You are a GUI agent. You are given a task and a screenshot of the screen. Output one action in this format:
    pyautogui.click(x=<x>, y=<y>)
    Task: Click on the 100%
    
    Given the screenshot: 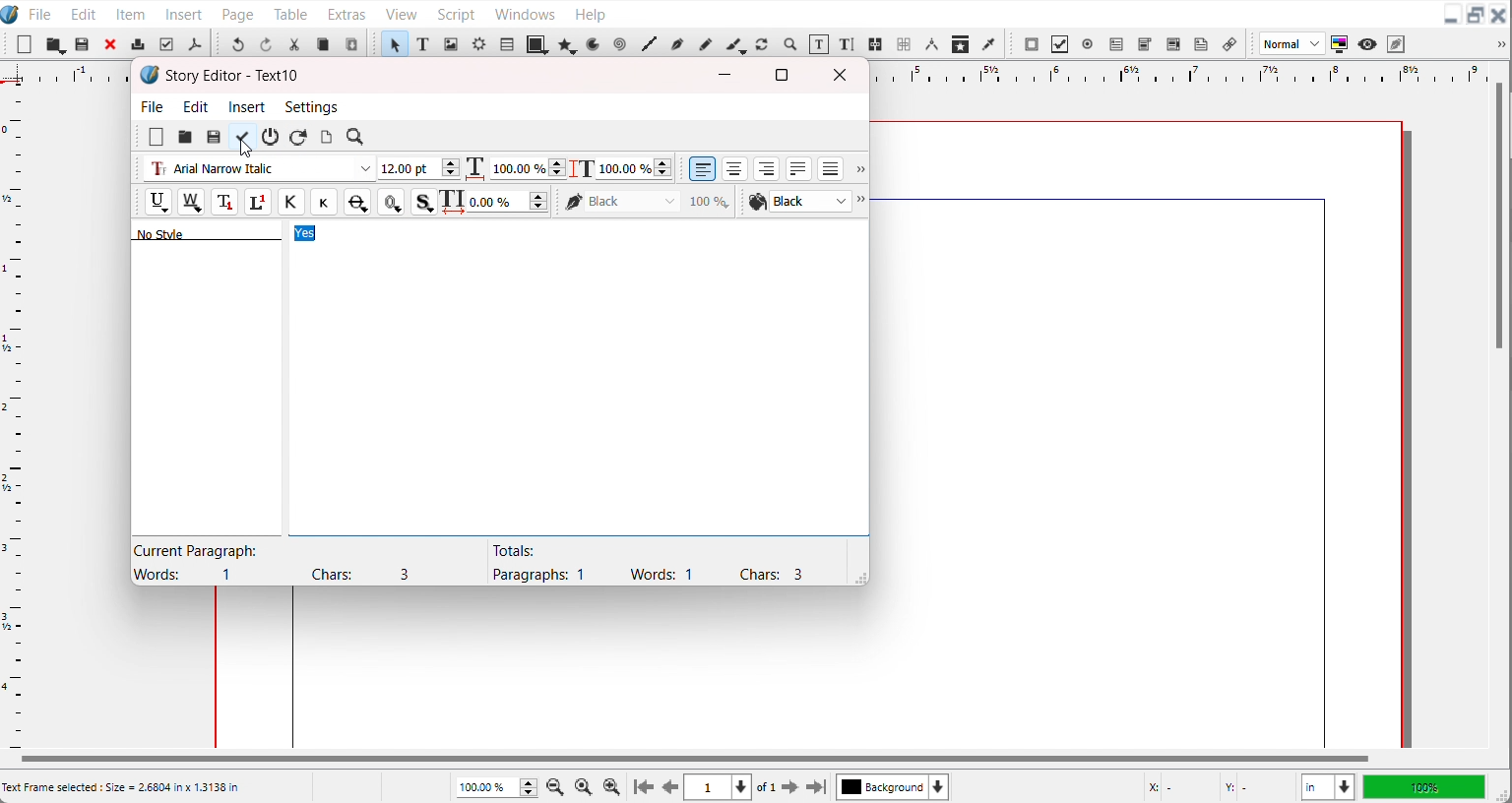 What is the action you would take?
    pyautogui.click(x=1423, y=786)
    